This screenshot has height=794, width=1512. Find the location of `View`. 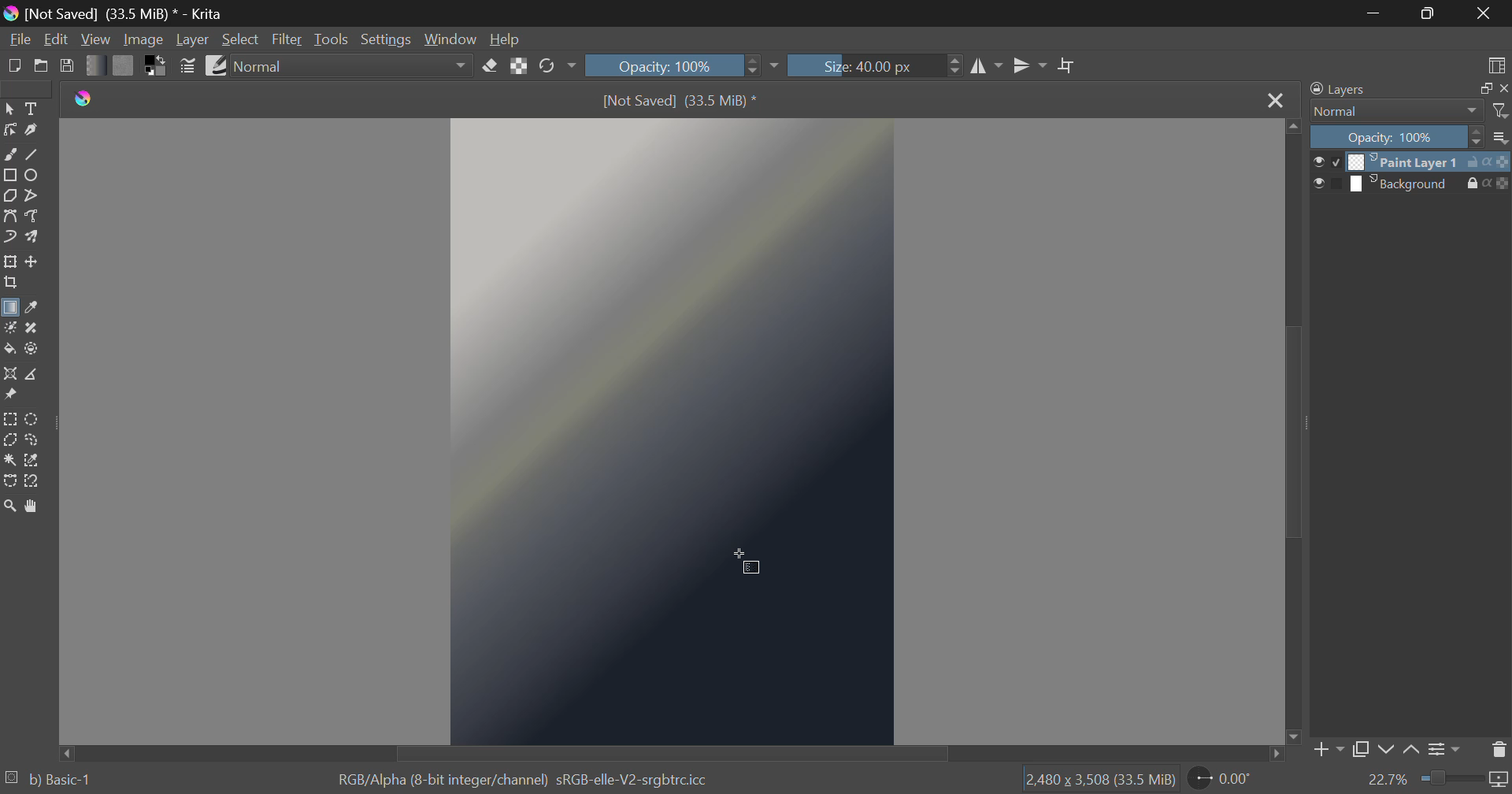

View is located at coordinates (96, 39).